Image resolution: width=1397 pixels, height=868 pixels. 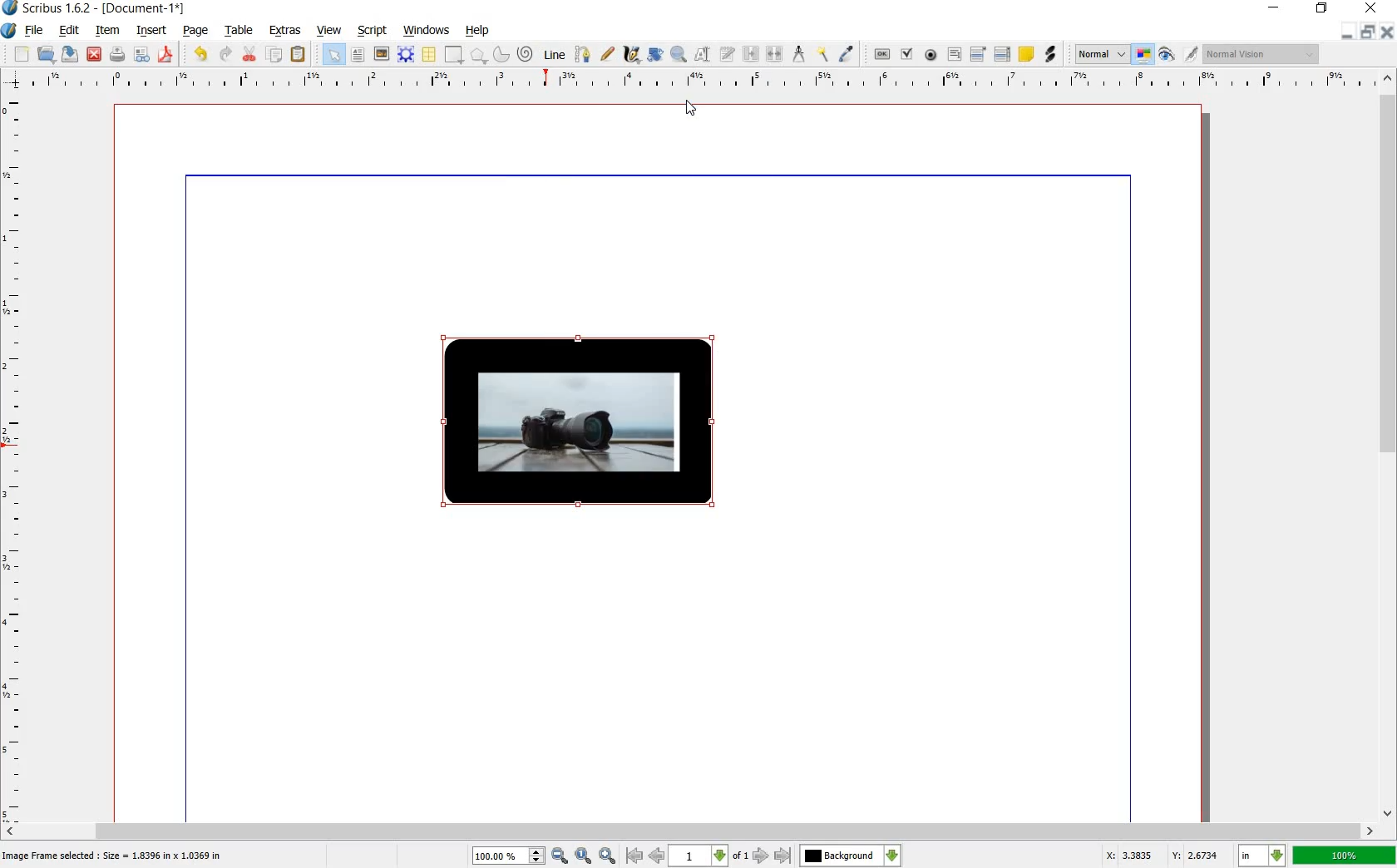 What do you see at coordinates (708, 854) in the screenshot?
I see `page number drop down box` at bounding box center [708, 854].